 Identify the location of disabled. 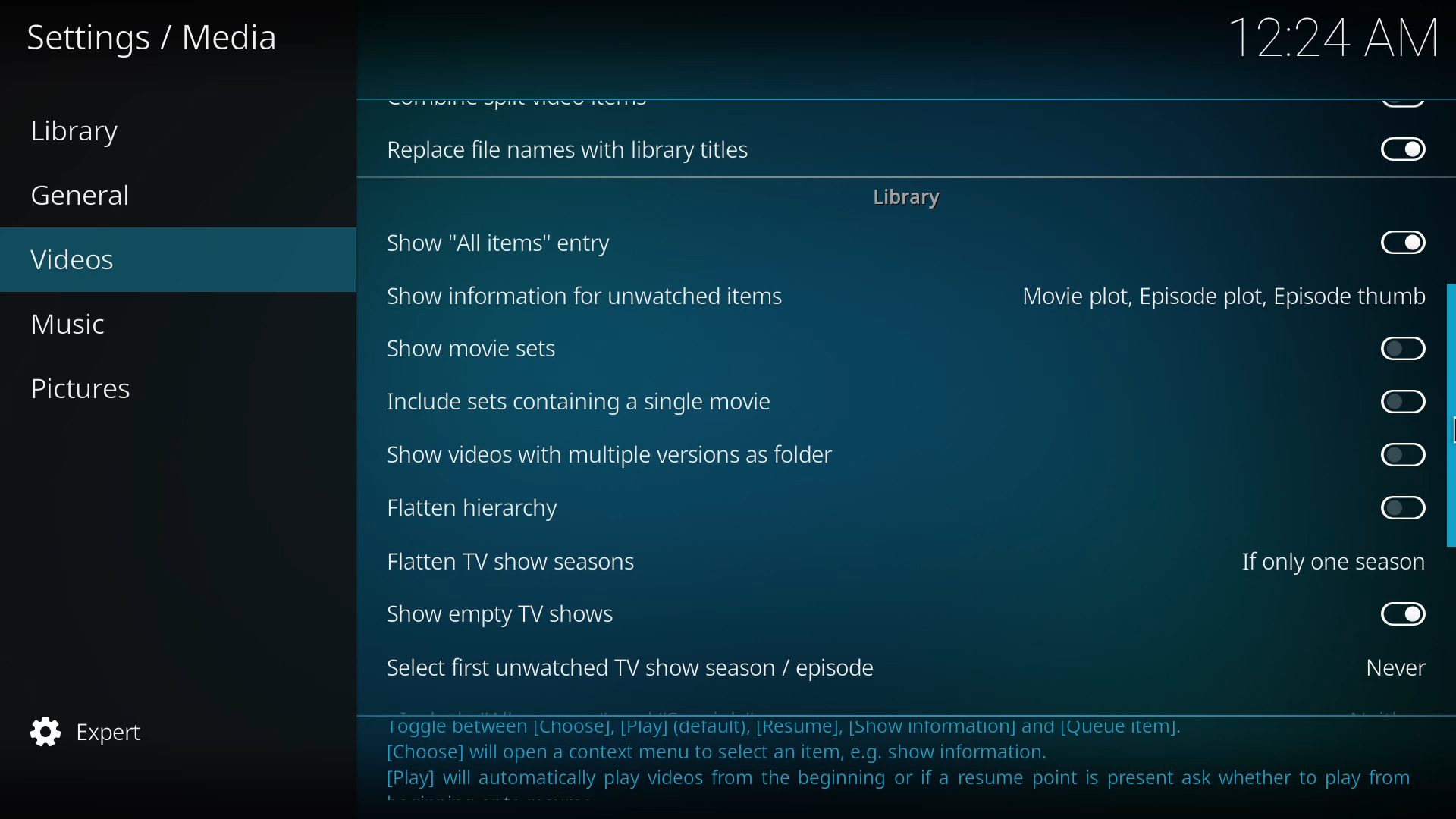
(1402, 147).